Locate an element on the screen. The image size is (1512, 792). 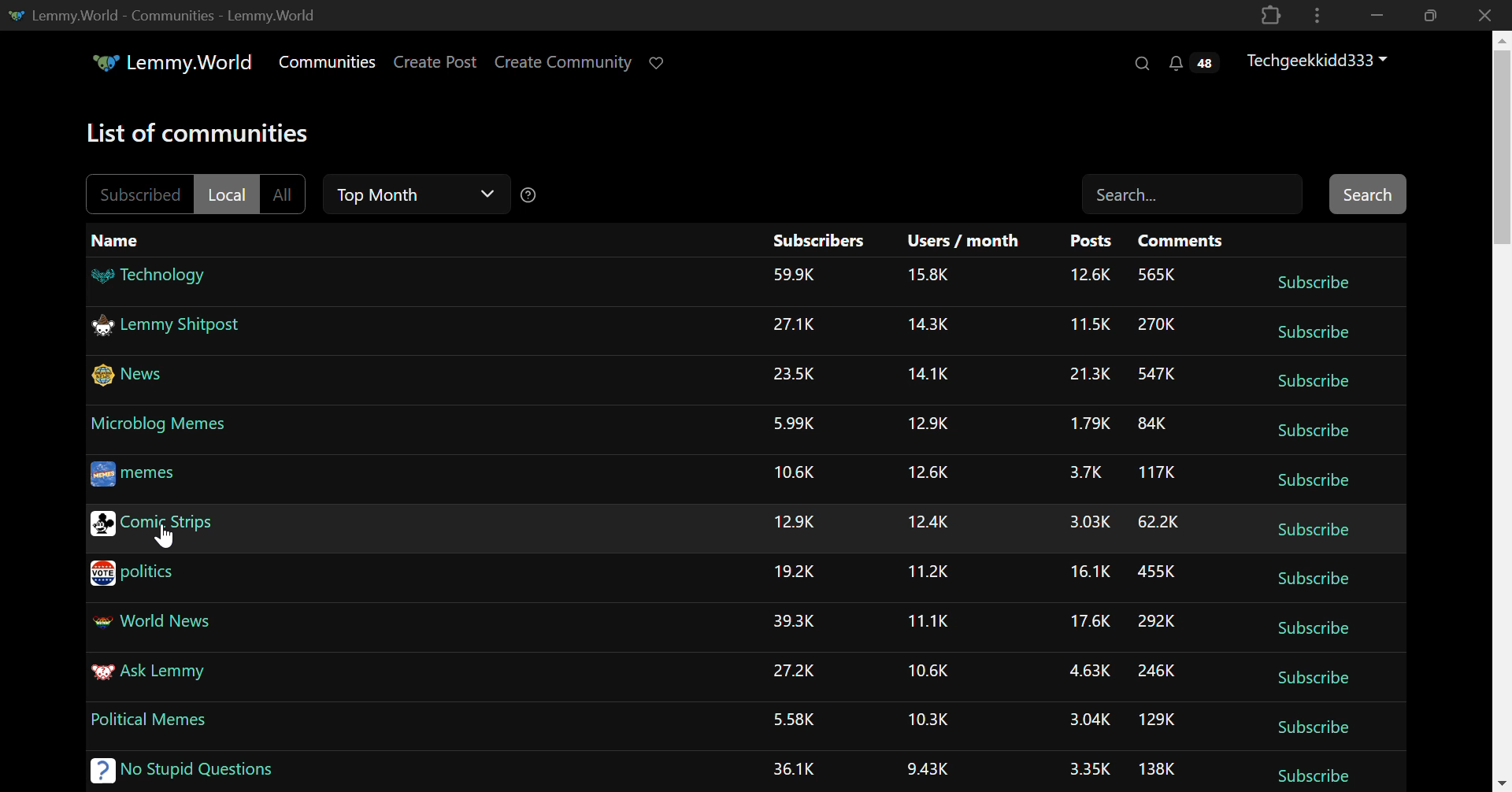
5.99K is located at coordinates (795, 423).